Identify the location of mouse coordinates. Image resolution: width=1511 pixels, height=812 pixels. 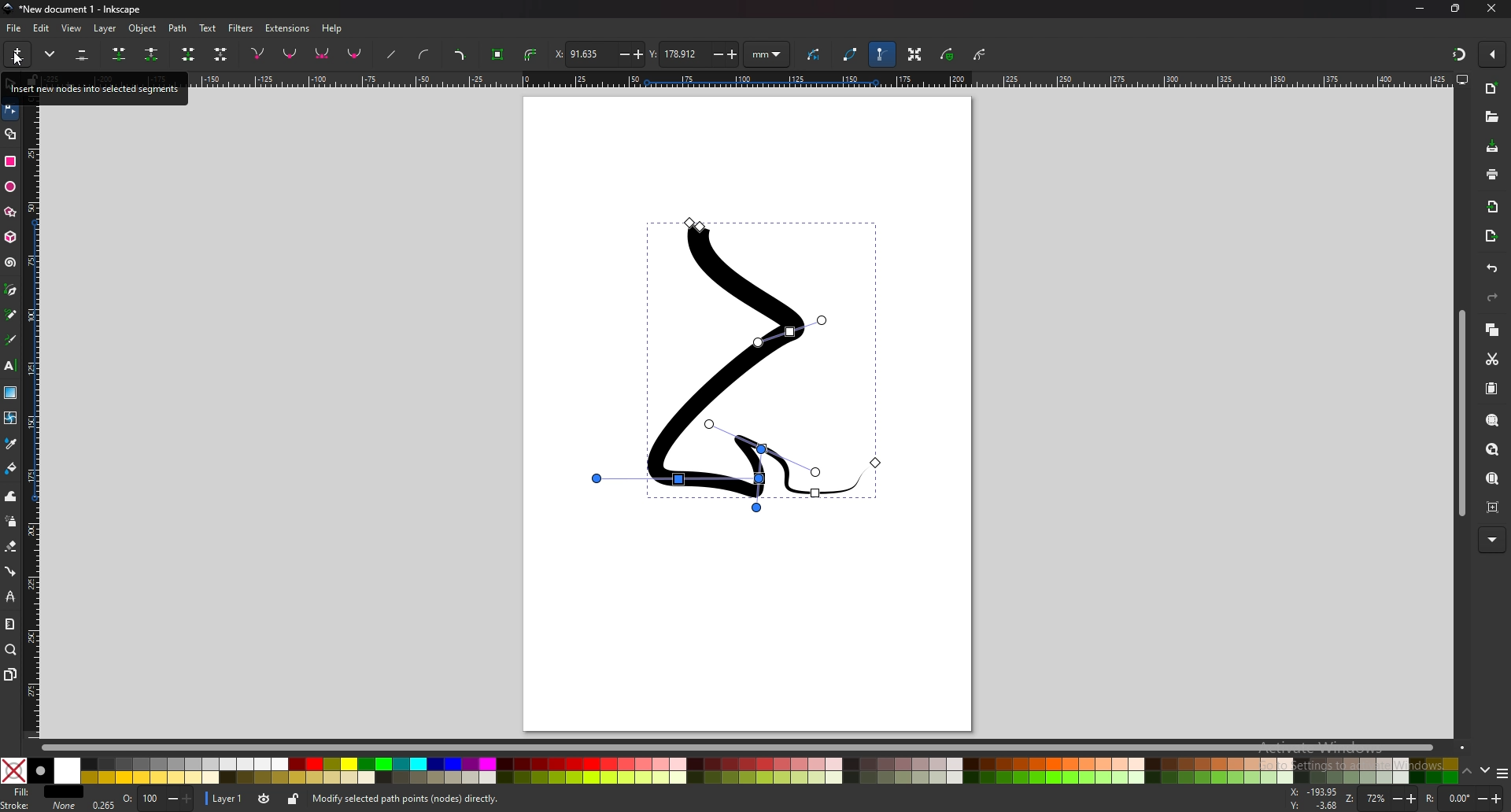
(1312, 799).